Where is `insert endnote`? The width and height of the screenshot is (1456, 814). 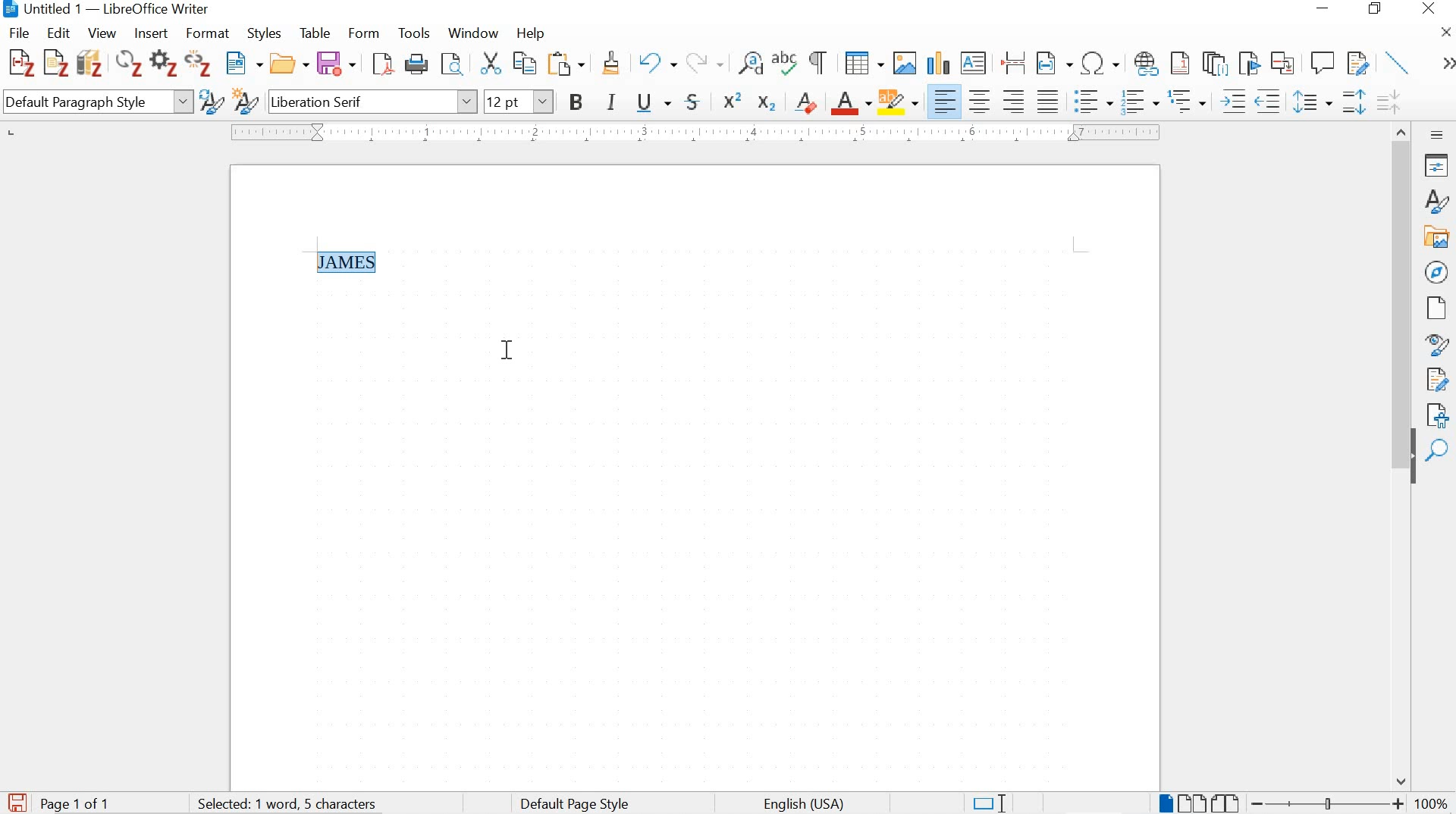
insert endnote is located at coordinates (1215, 64).